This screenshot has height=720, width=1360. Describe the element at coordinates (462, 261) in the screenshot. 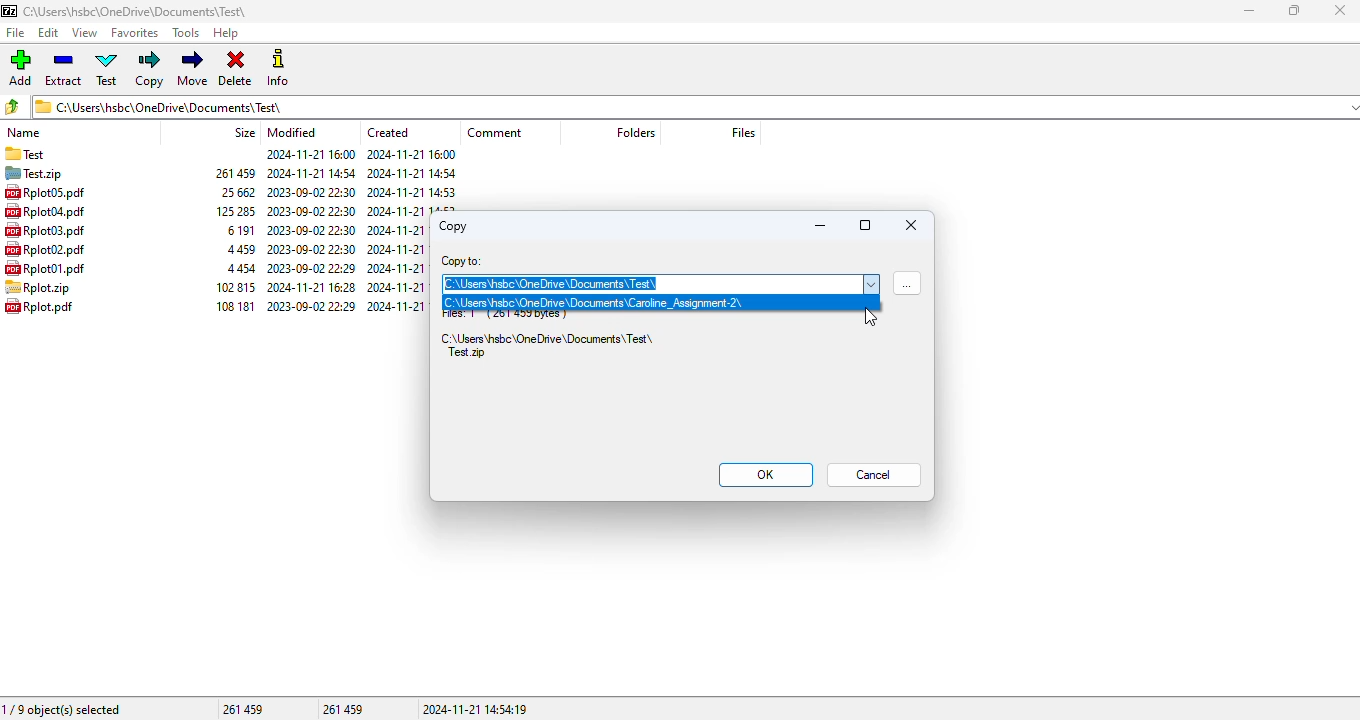

I see `copy to:` at that location.